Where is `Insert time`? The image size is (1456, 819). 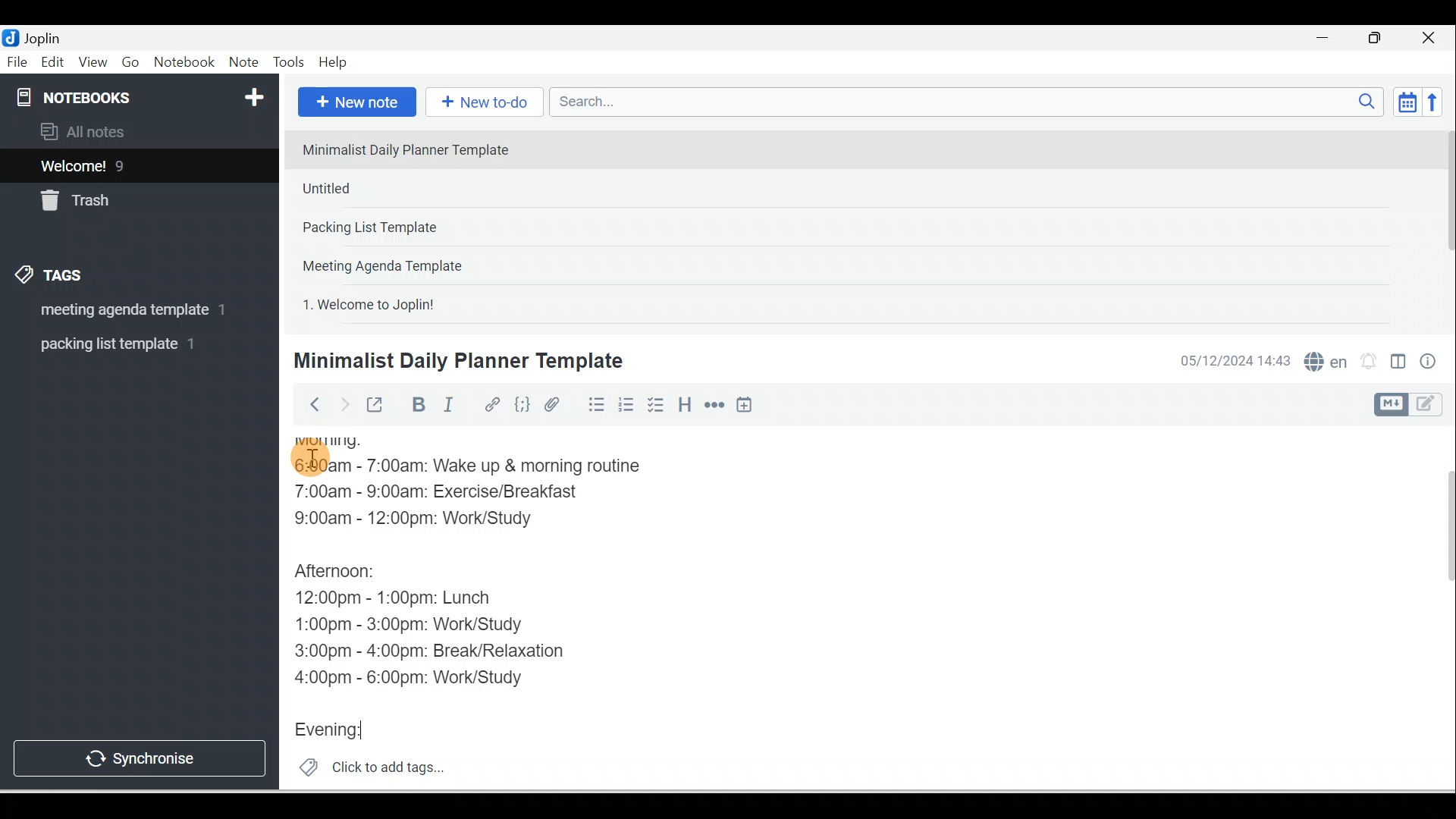 Insert time is located at coordinates (744, 406).